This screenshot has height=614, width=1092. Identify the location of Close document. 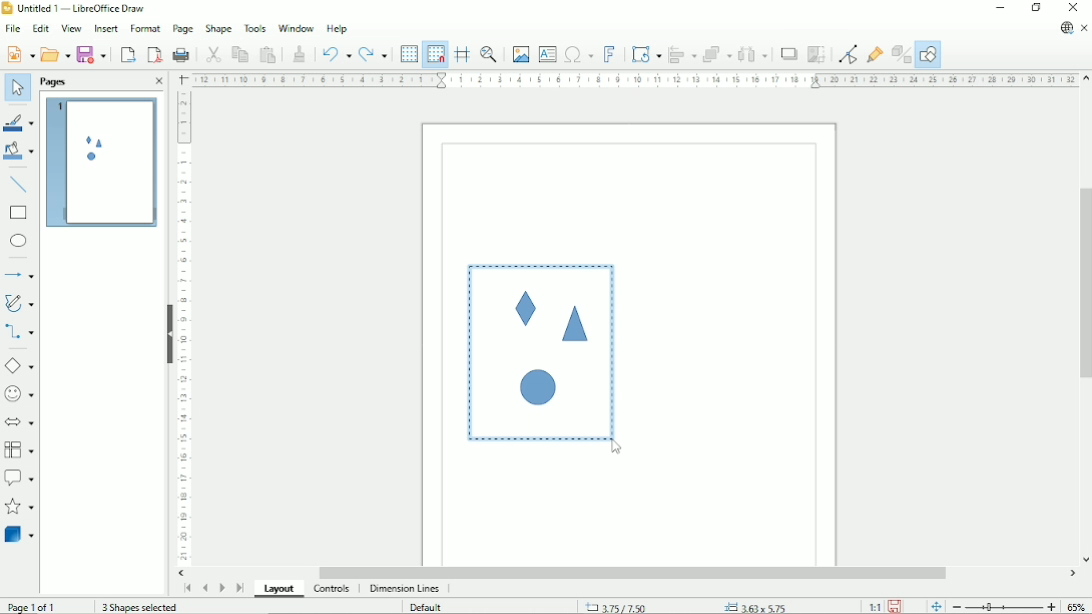
(1084, 28).